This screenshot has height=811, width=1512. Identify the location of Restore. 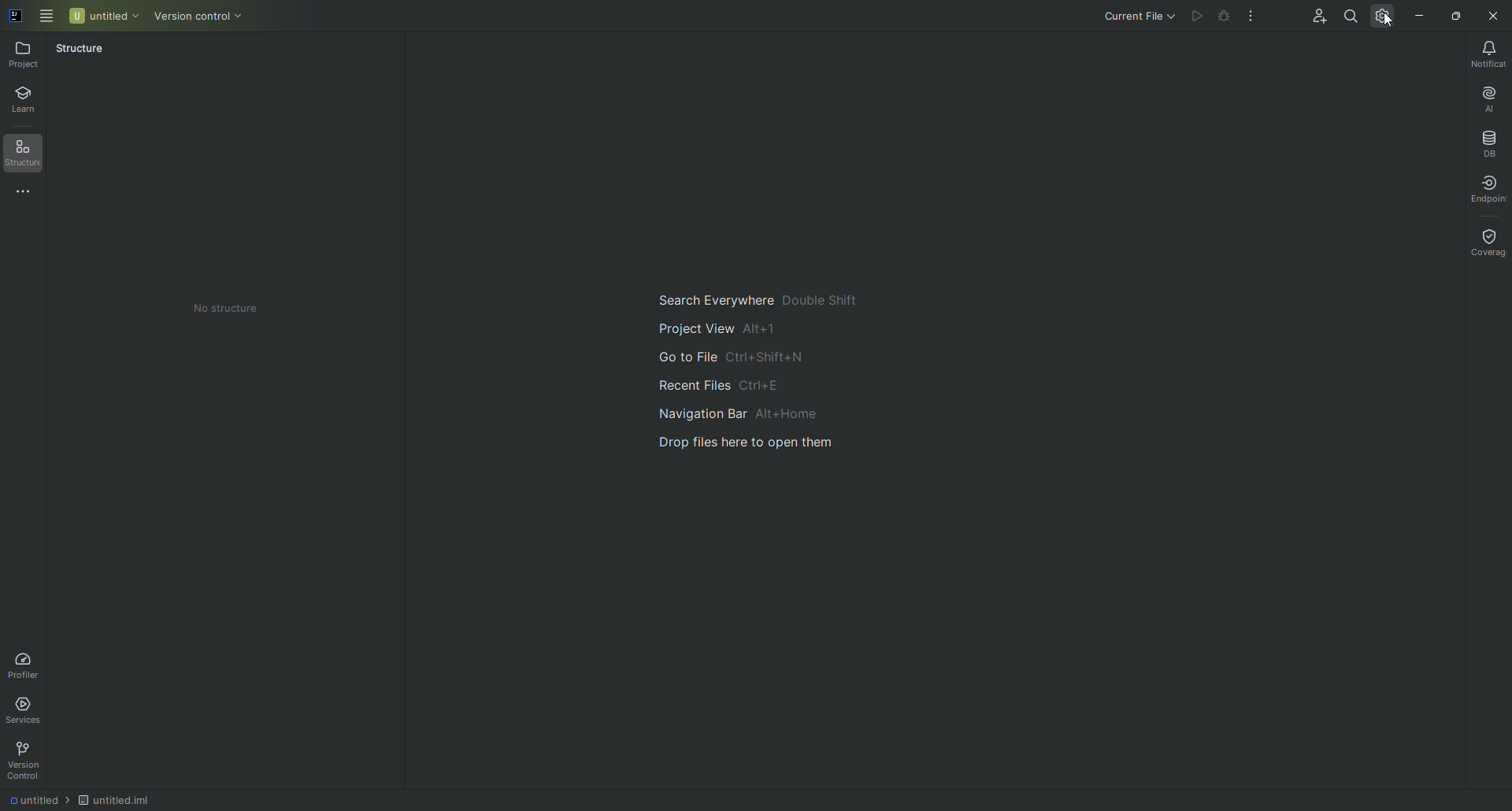
(1454, 14).